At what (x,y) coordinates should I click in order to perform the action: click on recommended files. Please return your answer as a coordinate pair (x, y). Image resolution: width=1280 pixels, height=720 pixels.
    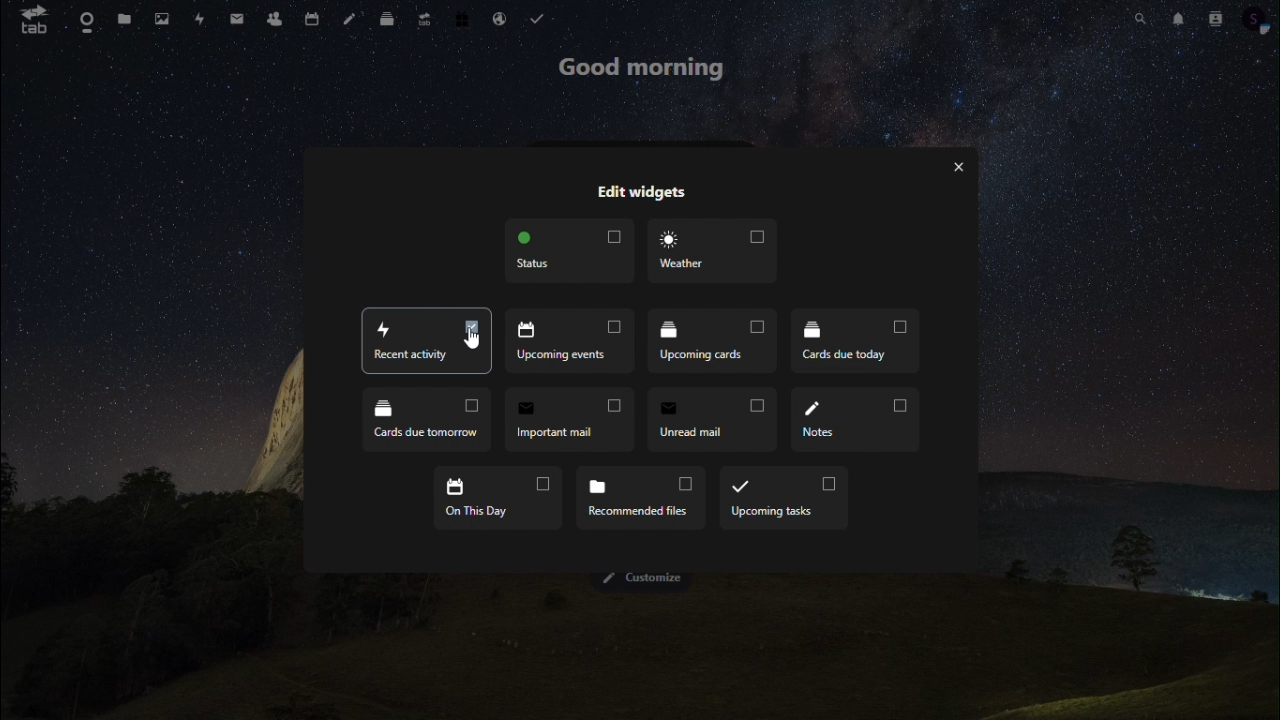
    Looking at the image, I should click on (640, 499).